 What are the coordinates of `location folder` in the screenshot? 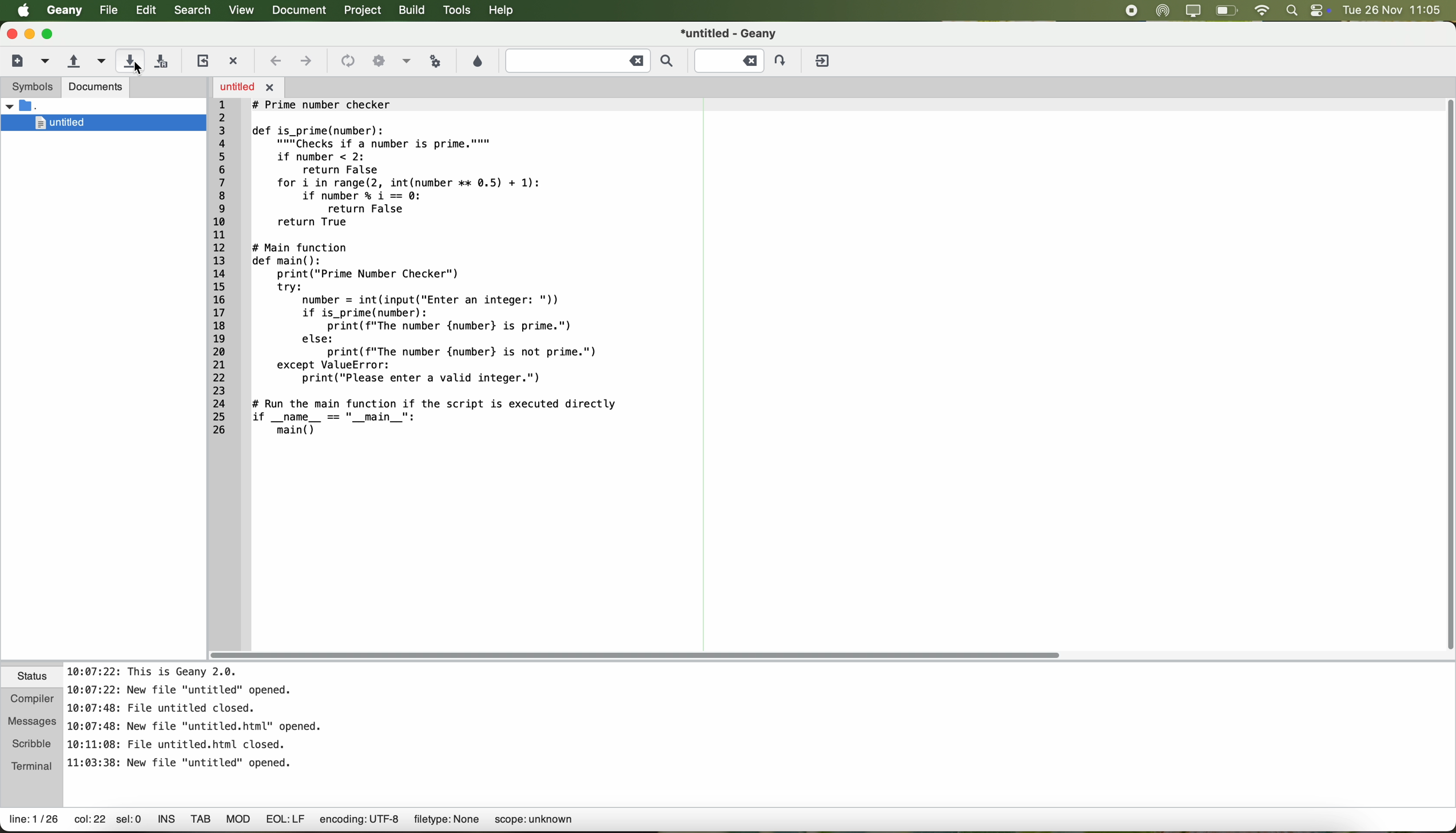 It's located at (27, 106).